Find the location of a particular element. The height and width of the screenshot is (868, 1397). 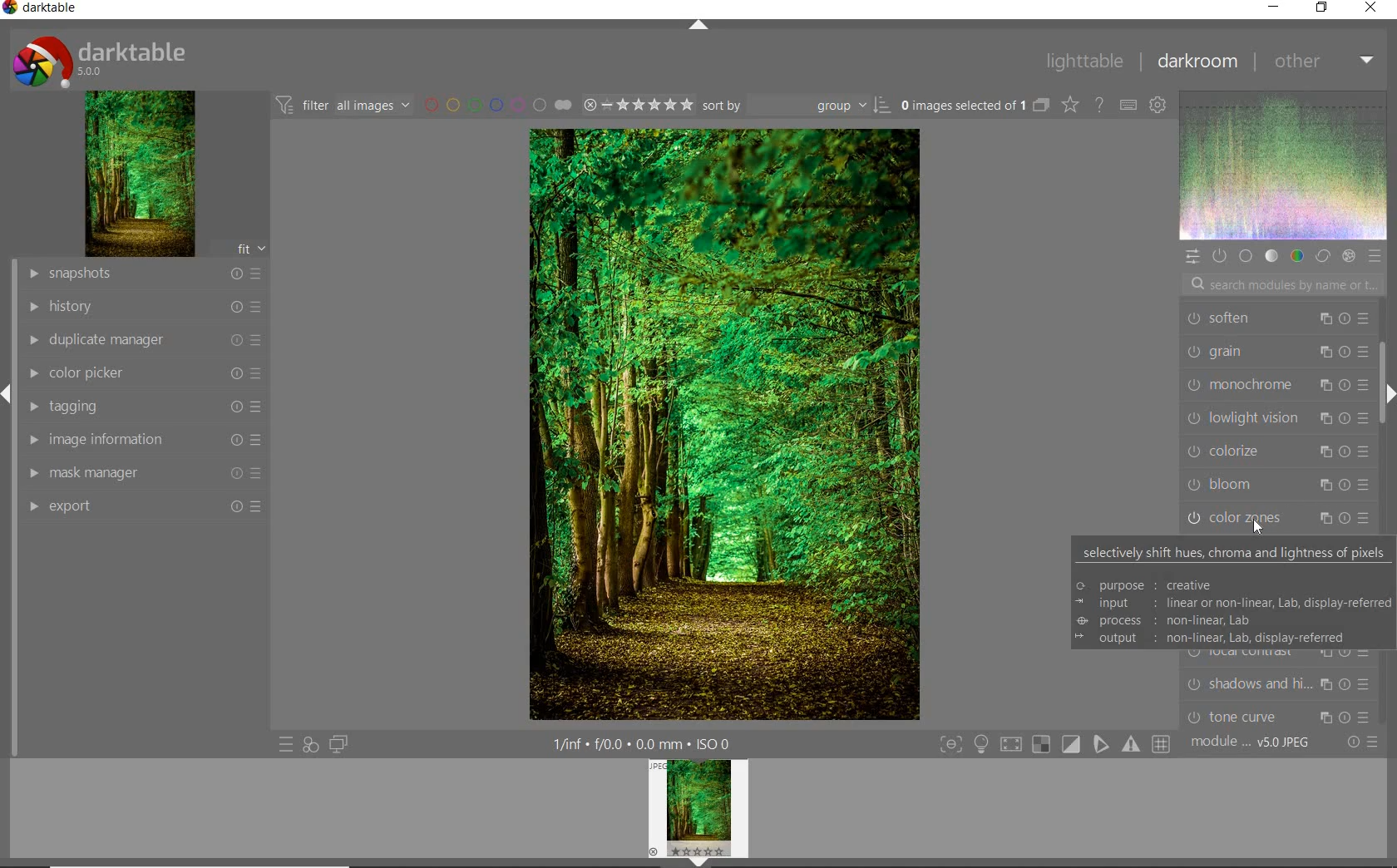

SNAPSHOT is located at coordinates (144, 273).